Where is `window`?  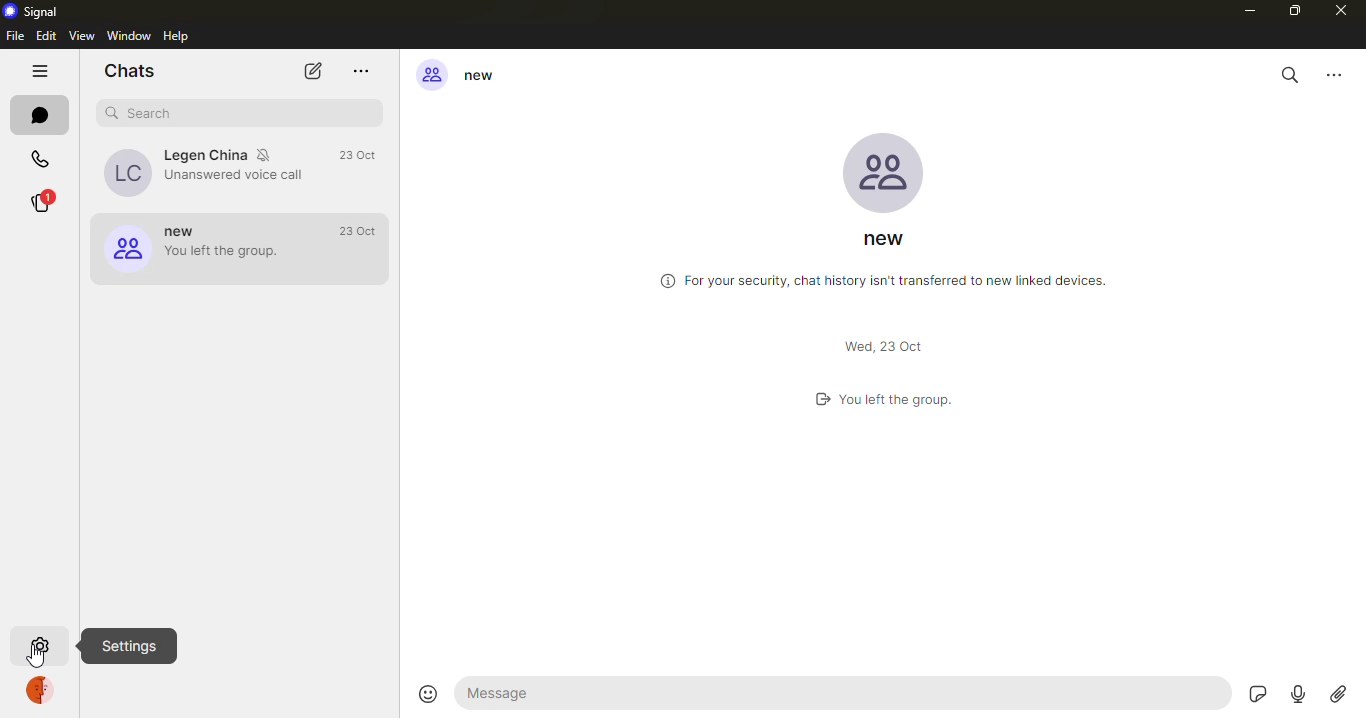
window is located at coordinates (127, 35).